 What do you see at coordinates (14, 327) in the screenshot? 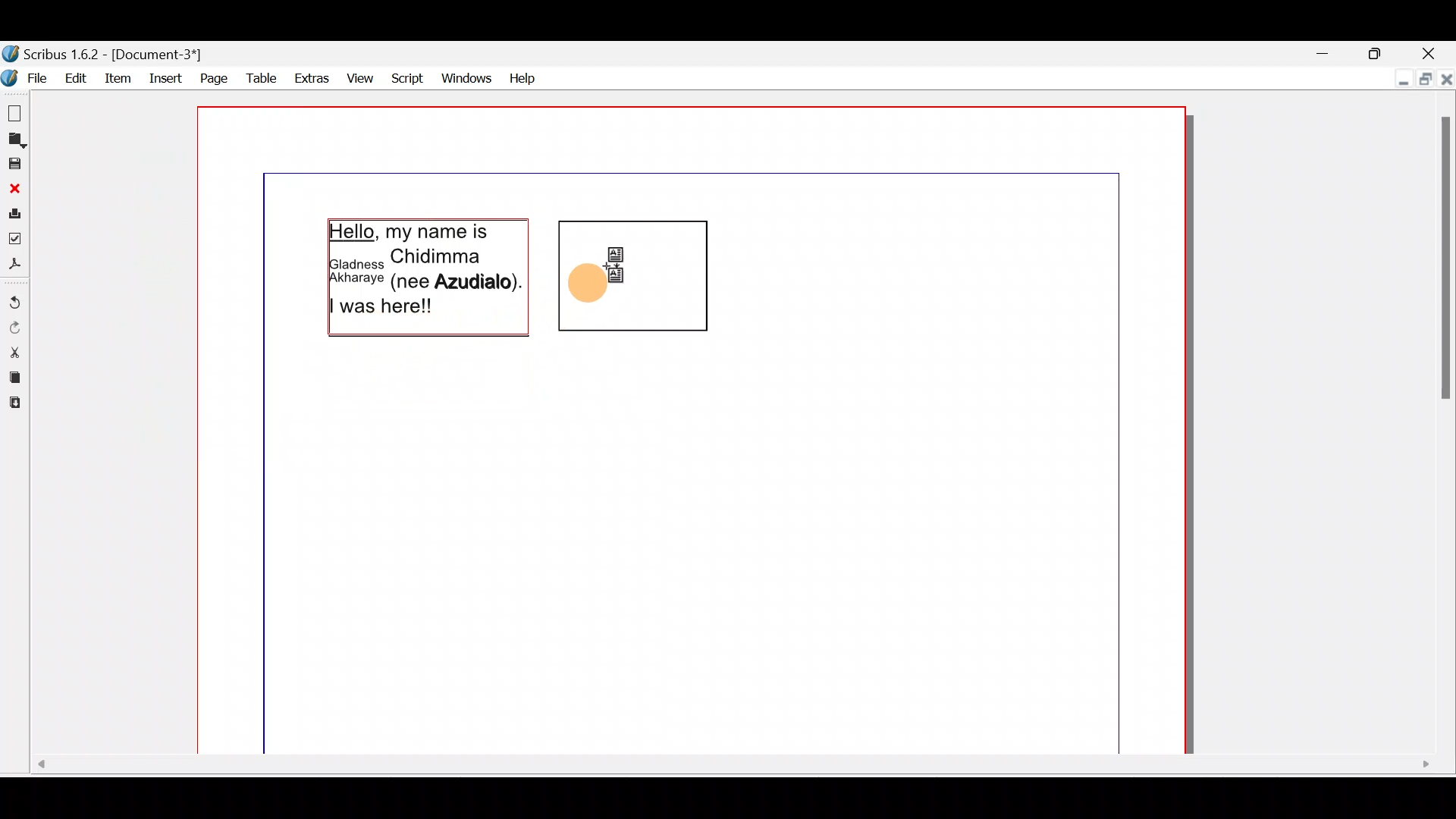
I see `Redo` at bounding box center [14, 327].